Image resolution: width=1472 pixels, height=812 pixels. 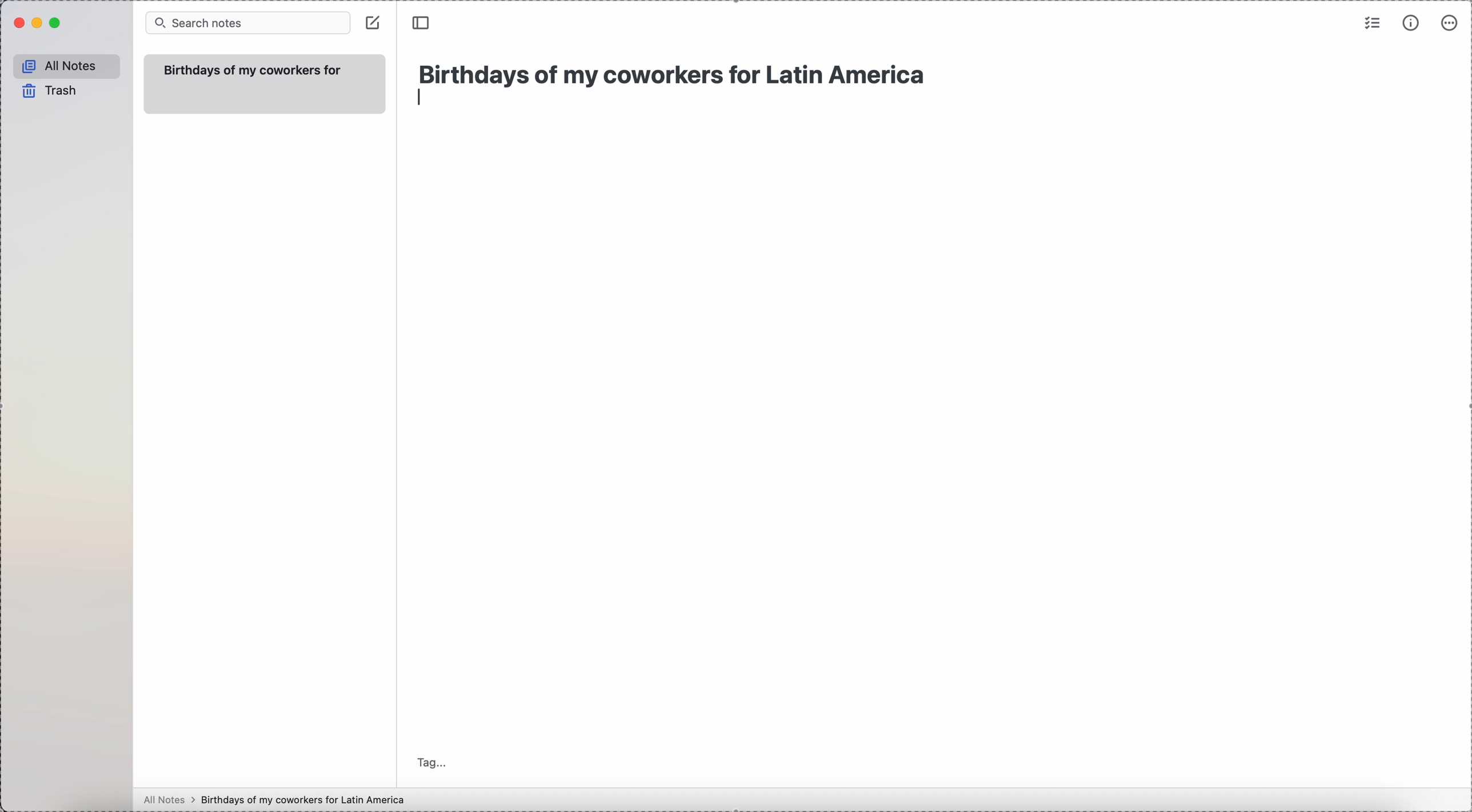 What do you see at coordinates (18, 23) in the screenshot?
I see `close Simplenote` at bounding box center [18, 23].